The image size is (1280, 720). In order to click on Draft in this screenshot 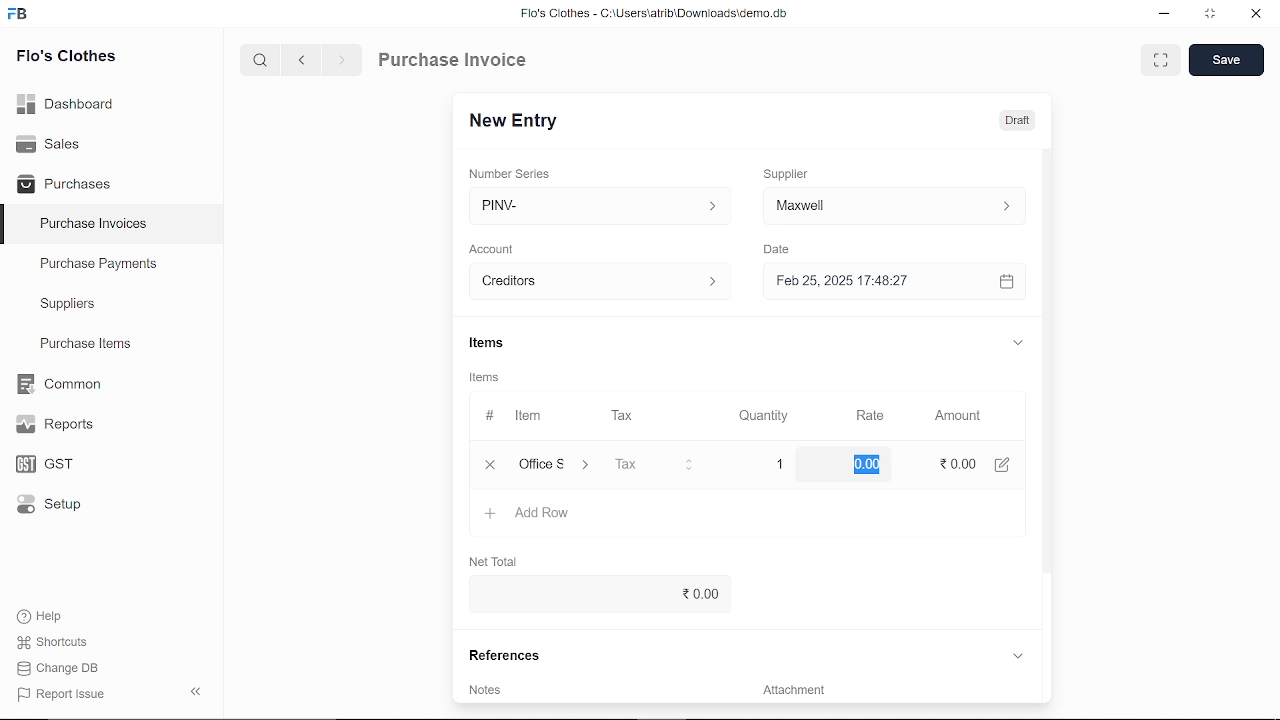, I will do `click(1017, 121)`.